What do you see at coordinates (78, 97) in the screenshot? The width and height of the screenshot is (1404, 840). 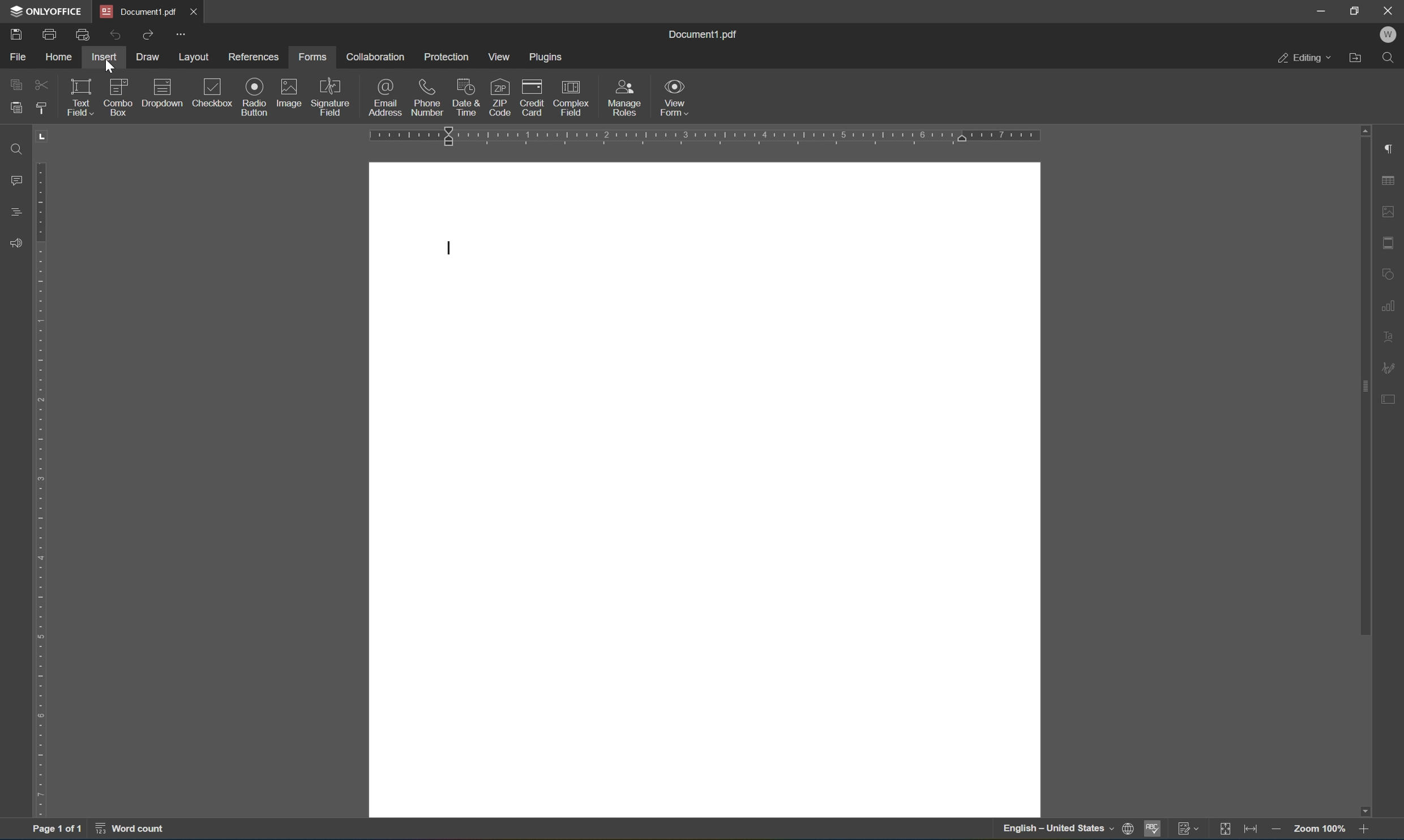 I see `text field` at bounding box center [78, 97].